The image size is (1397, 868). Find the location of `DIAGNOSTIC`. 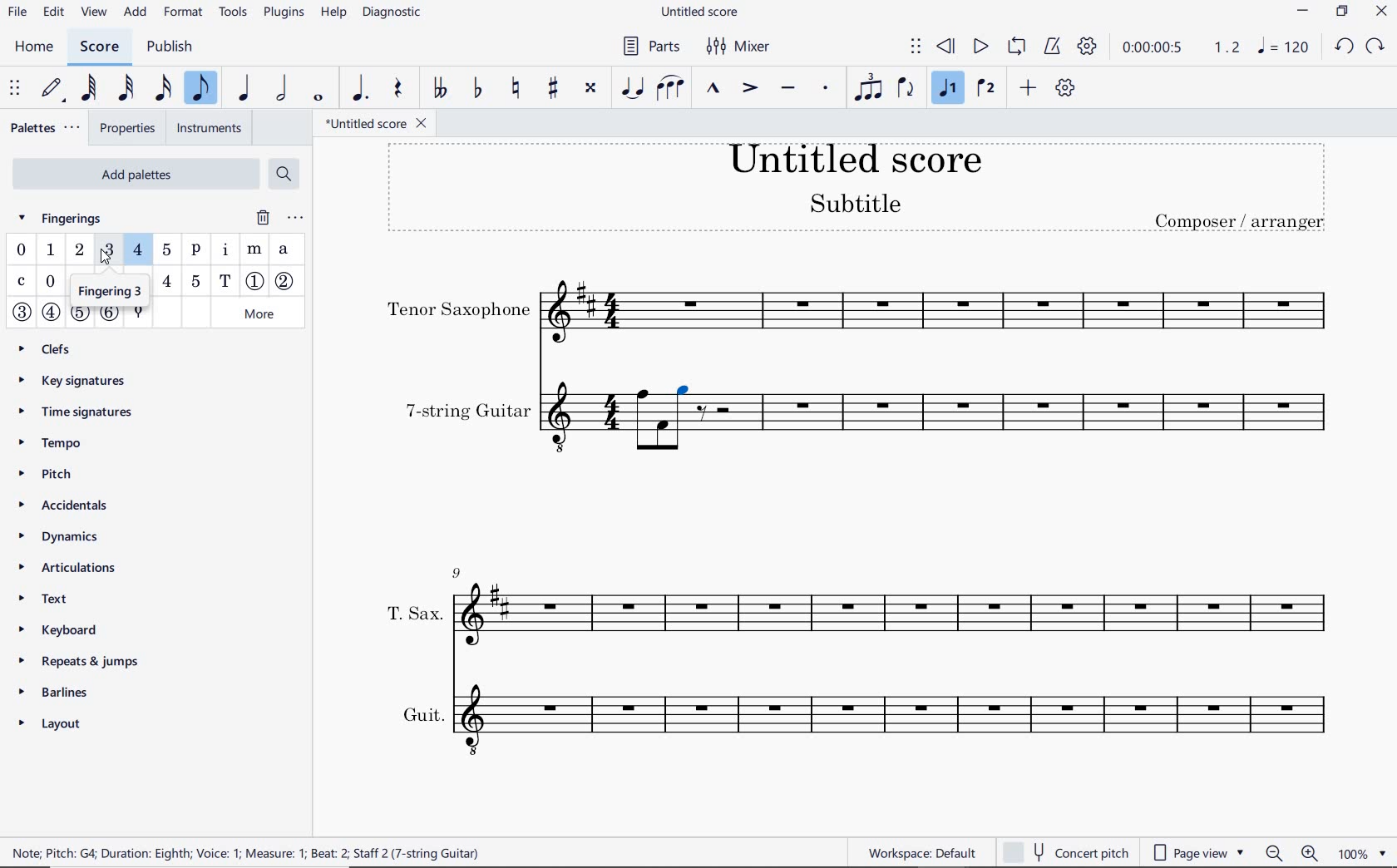

DIAGNOSTIC is located at coordinates (393, 14).